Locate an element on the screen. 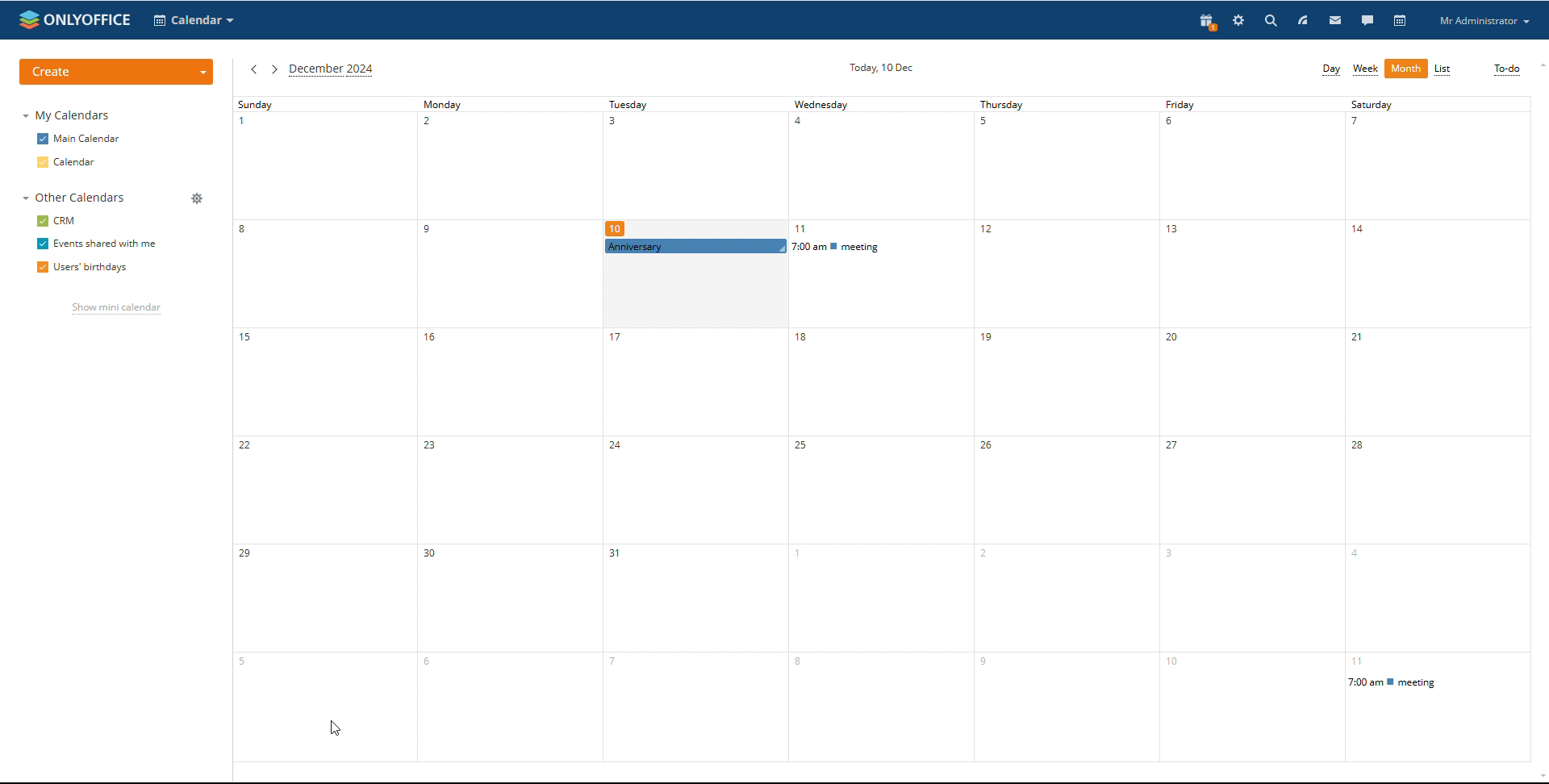 The image size is (1549, 784). to-do is located at coordinates (1507, 69).